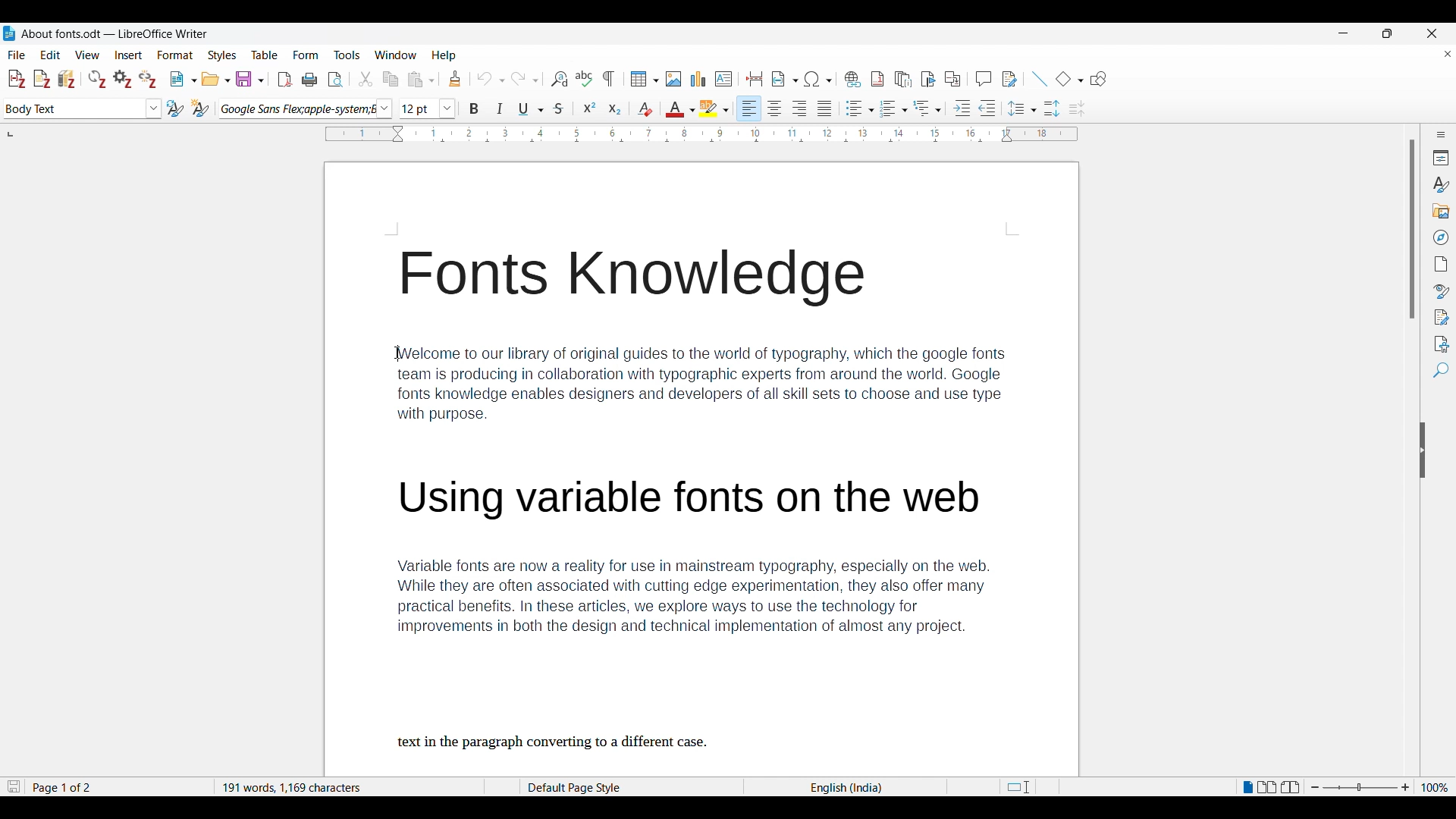 The image size is (1456, 819). Describe the element at coordinates (799, 108) in the screenshot. I see `Right alignment` at that location.